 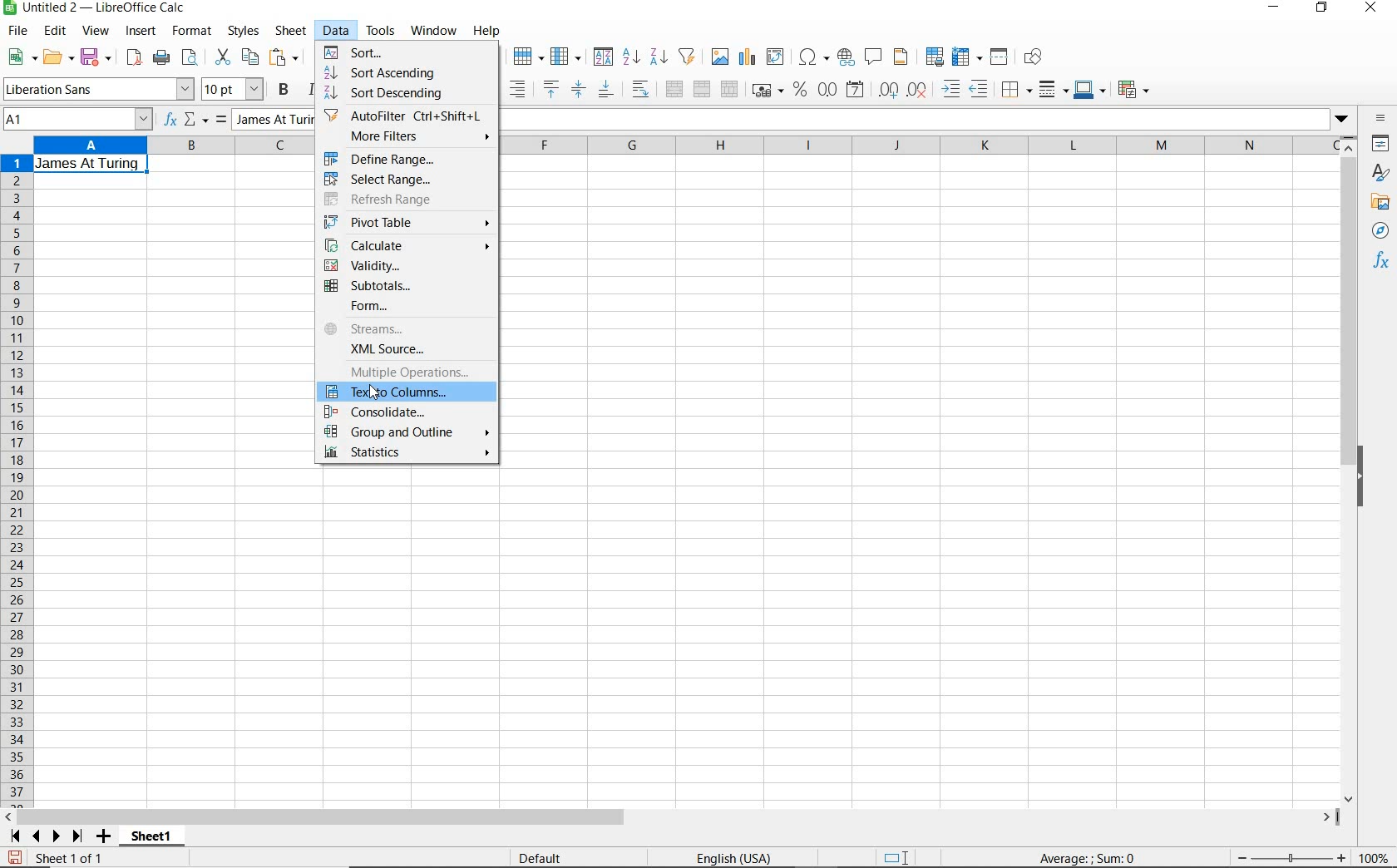 What do you see at coordinates (1375, 859) in the screenshot?
I see `zoom factor` at bounding box center [1375, 859].